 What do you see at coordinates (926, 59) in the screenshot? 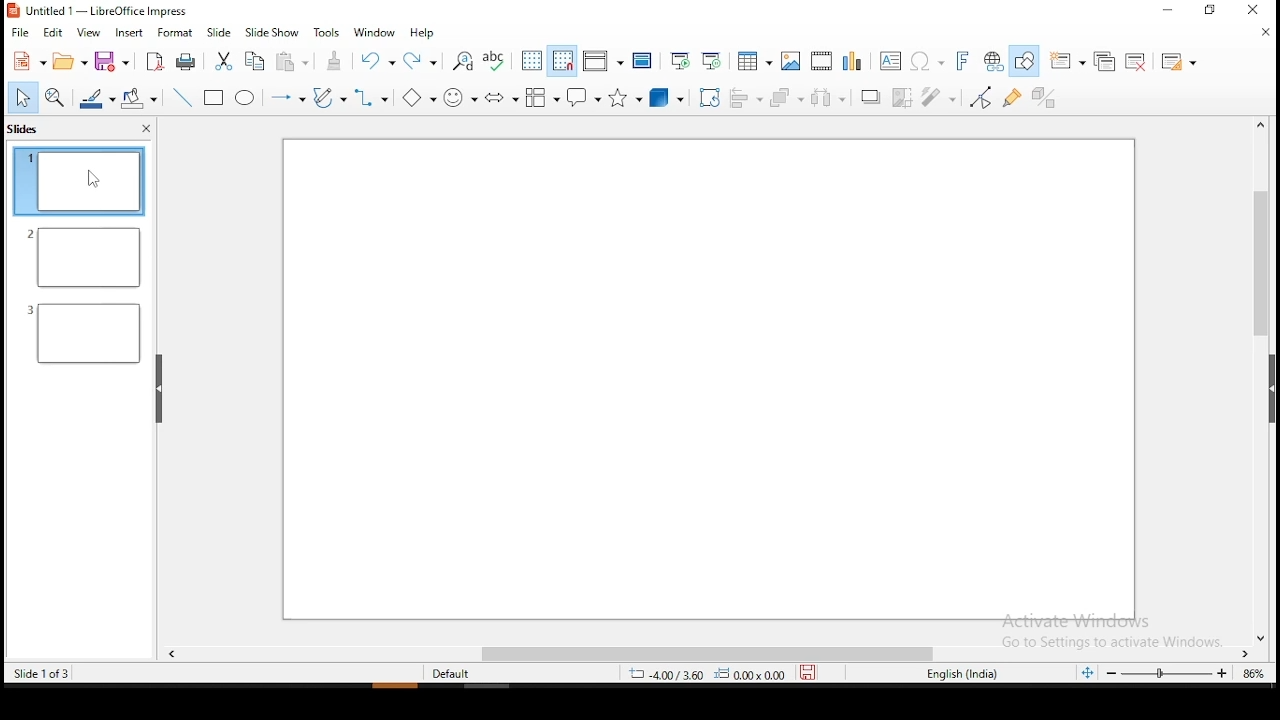
I see `insert special characters` at bounding box center [926, 59].